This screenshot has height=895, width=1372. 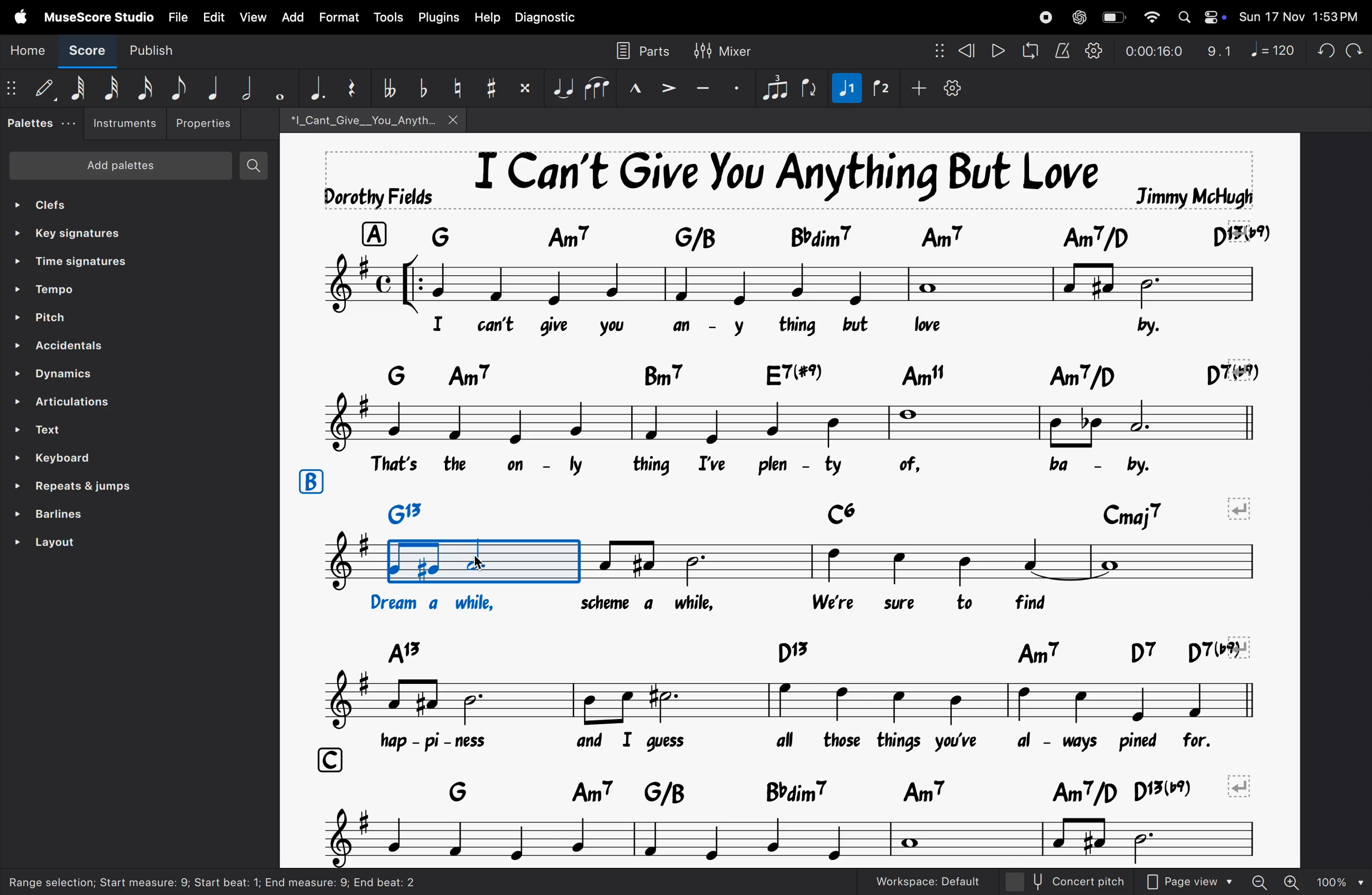 I want to click on tenuto, so click(x=705, y=85).